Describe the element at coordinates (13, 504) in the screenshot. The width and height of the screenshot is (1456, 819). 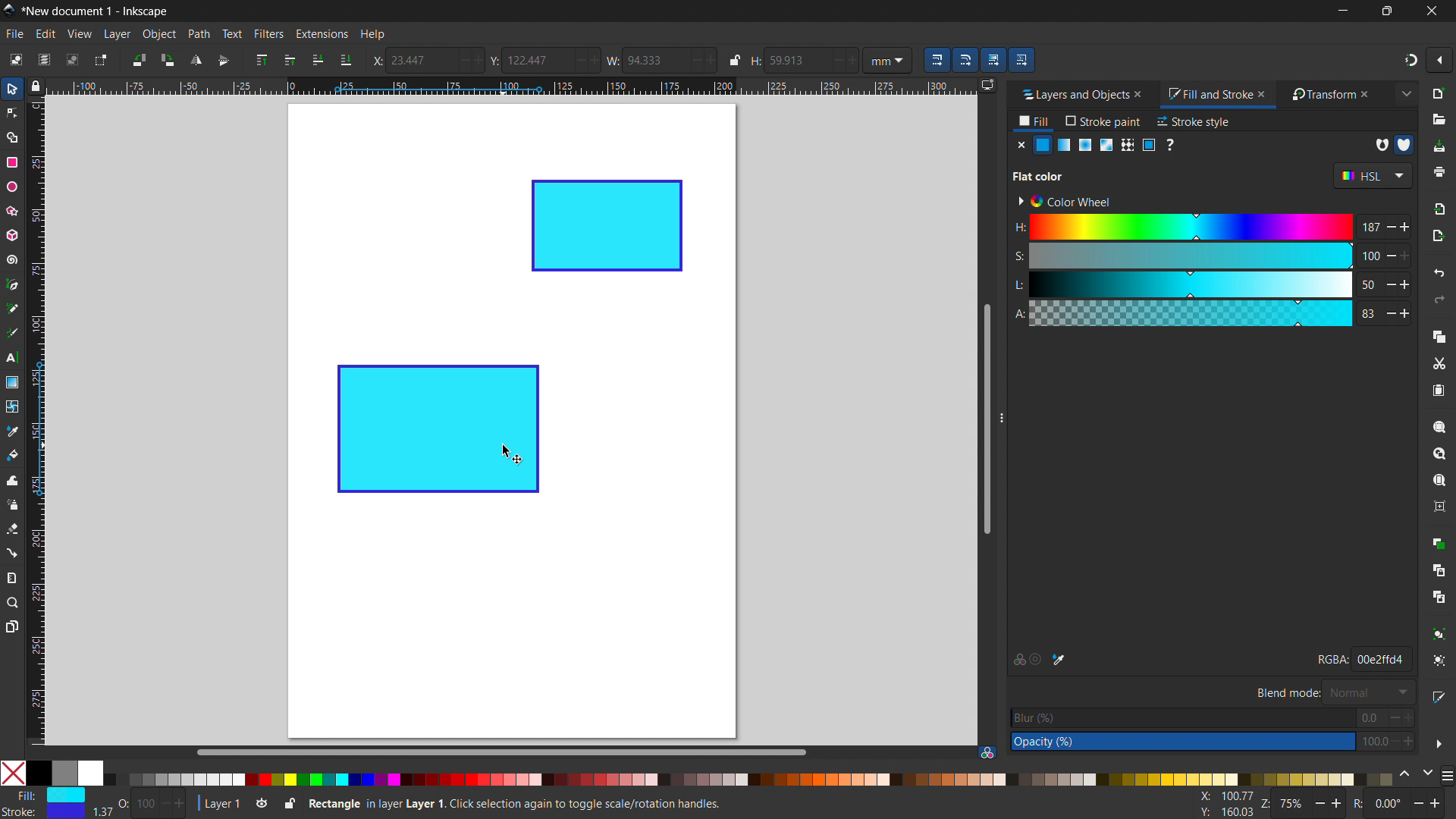
I see `spray tool` at that location.